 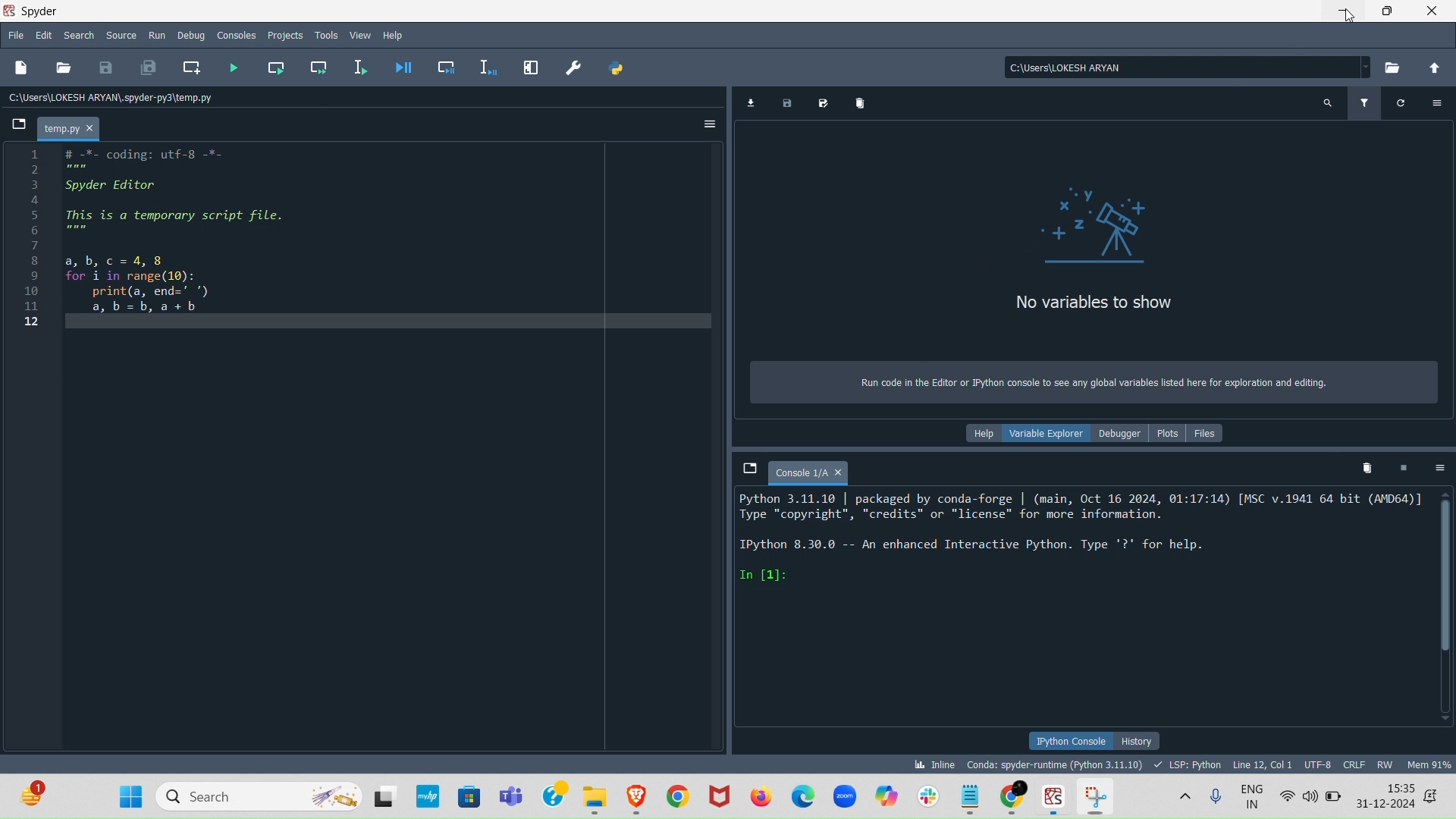 What do you see at coordinates (1082, 608) in the screenshot?
I see `Console editor` at bounding box center [1082, 608].